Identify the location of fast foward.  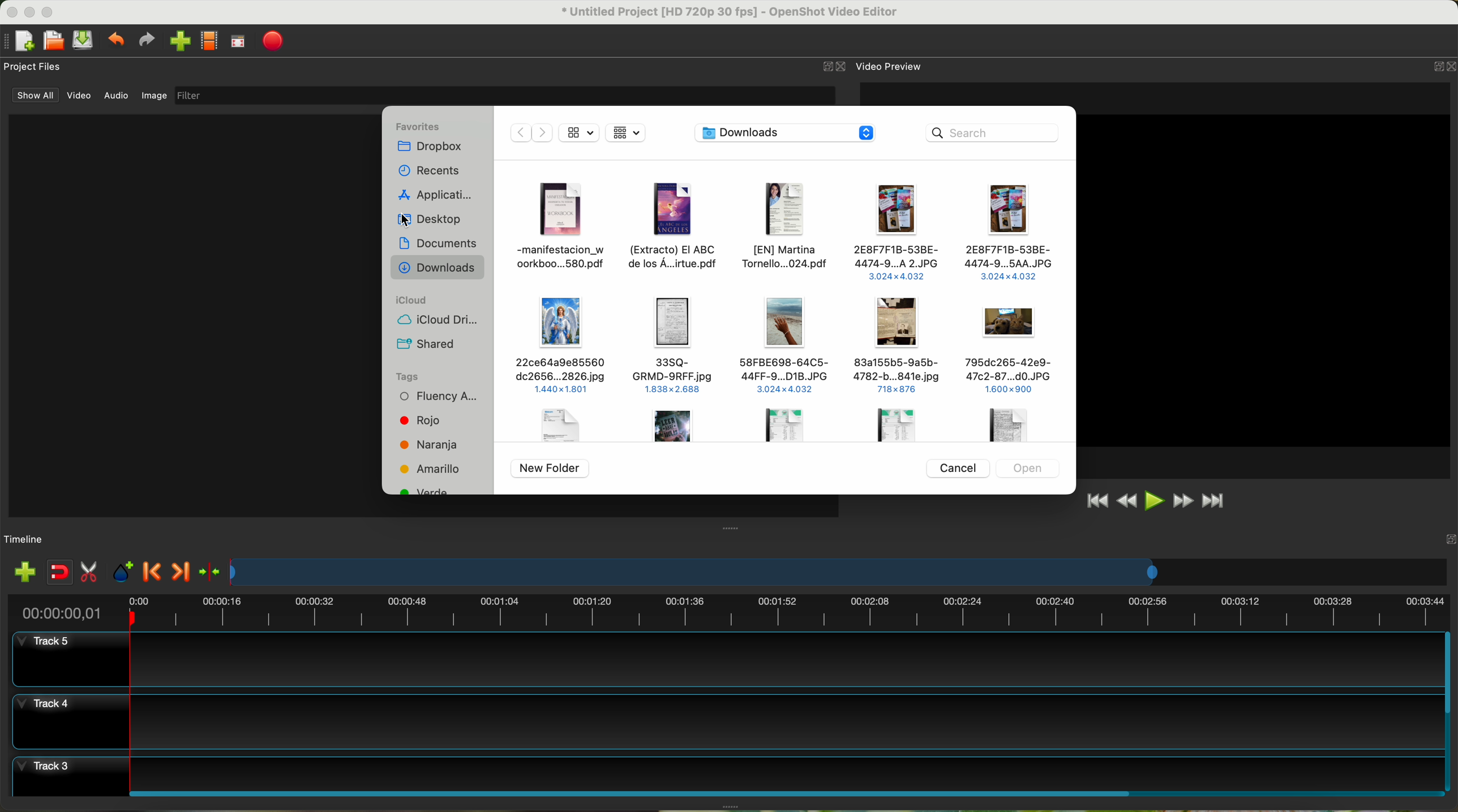
(1183, 501).